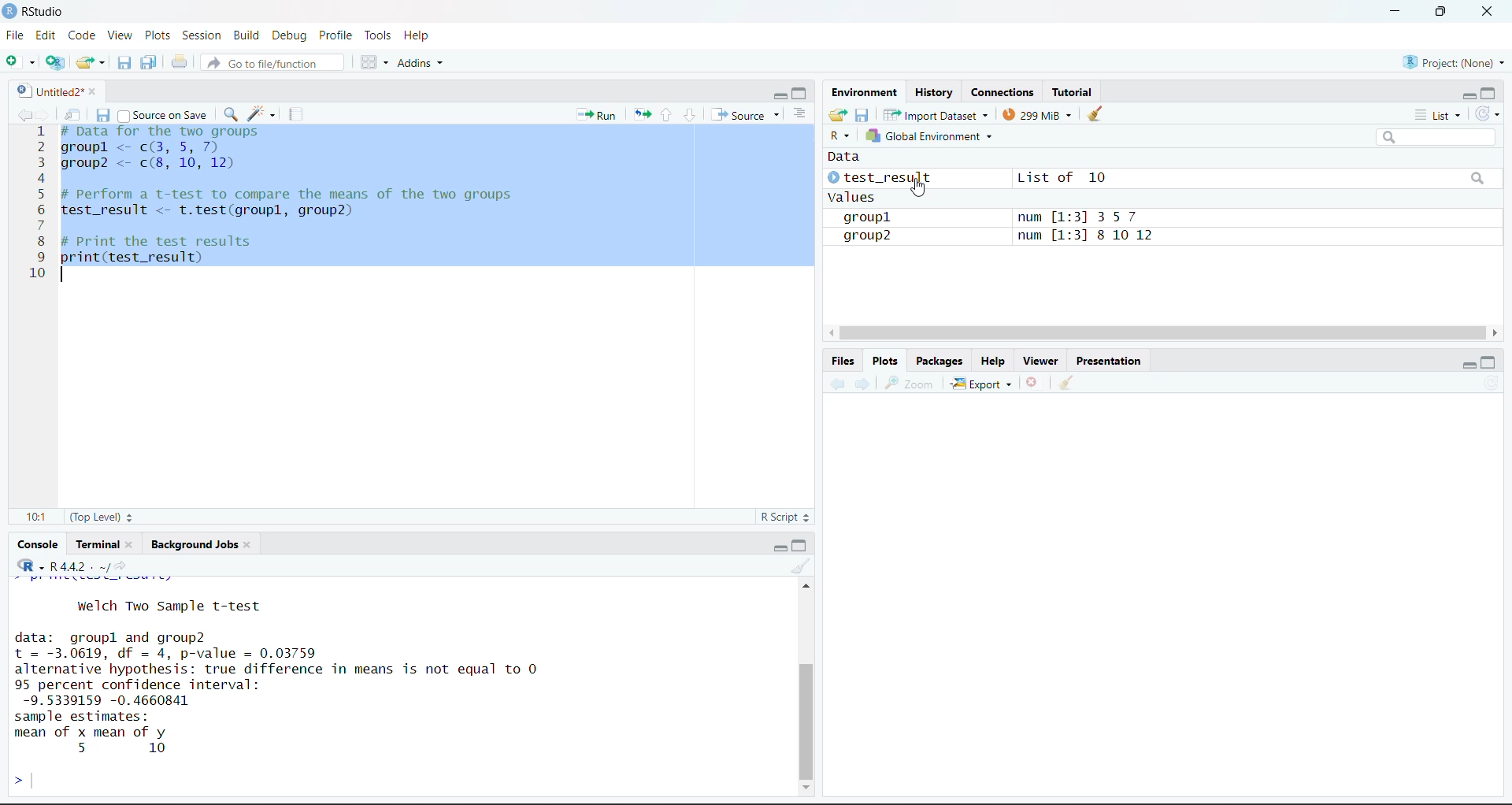 Image resolution: width=1512 pixels, height=805 pixels. What do you see at coordinates (863, 91) in the screenshot?
I see `Environment` at bounding box center [863, 91].